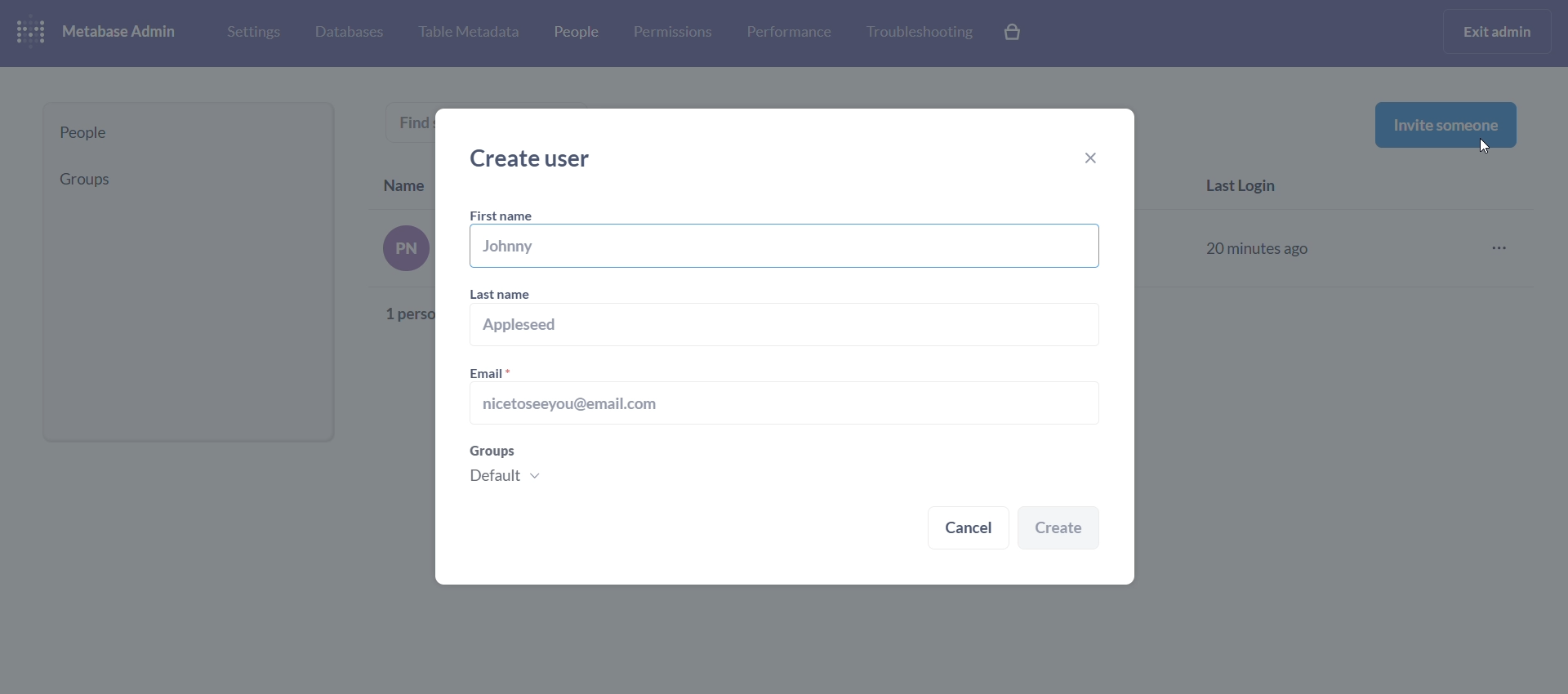 This screenshot has width=1568, height=694. I want to click on Name, so click(405, 182).